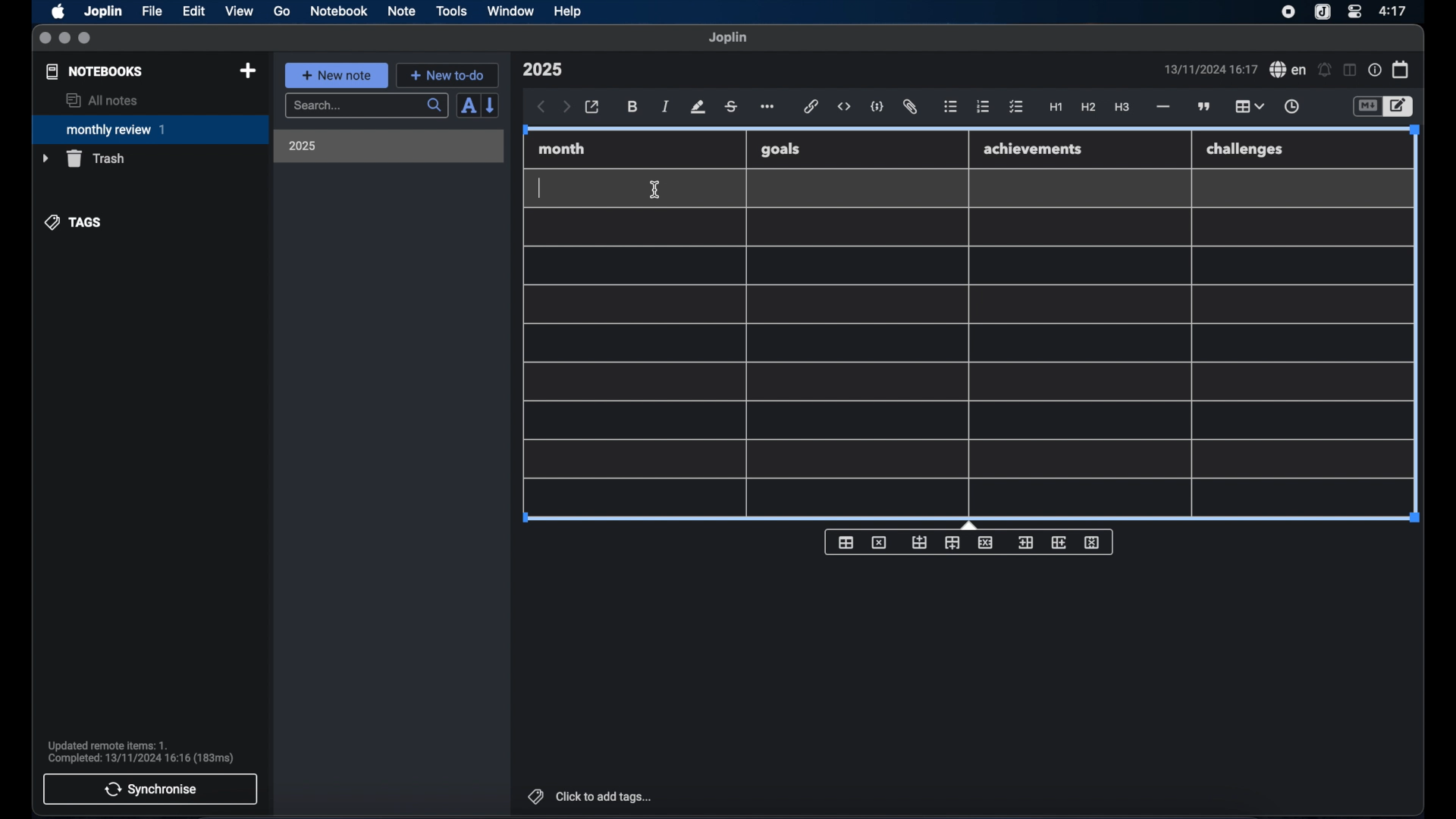 This screenshot has width=1456, height=819. What do you see at coordinates (1288, 70) in the screenshot?
I see `spel check` at bounding box center [1288, 70].